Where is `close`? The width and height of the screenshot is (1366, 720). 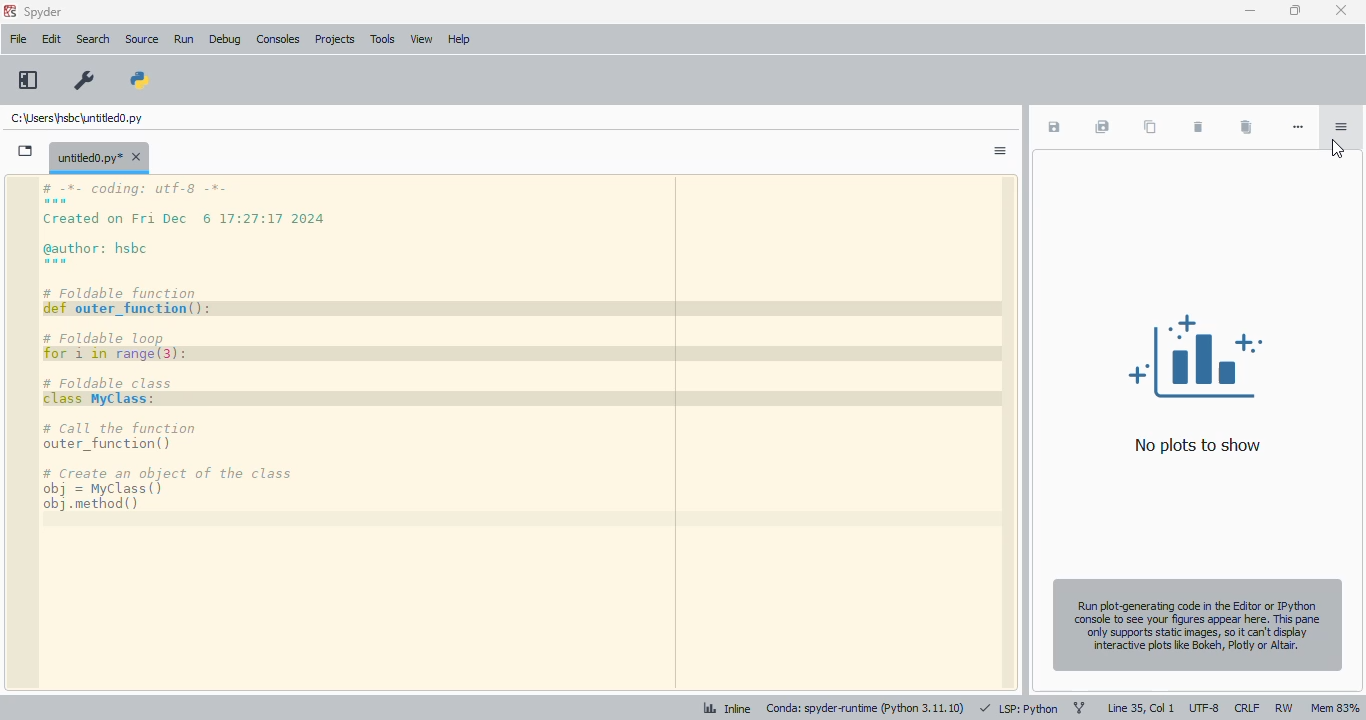 close is located at coordinates (1343, 10).